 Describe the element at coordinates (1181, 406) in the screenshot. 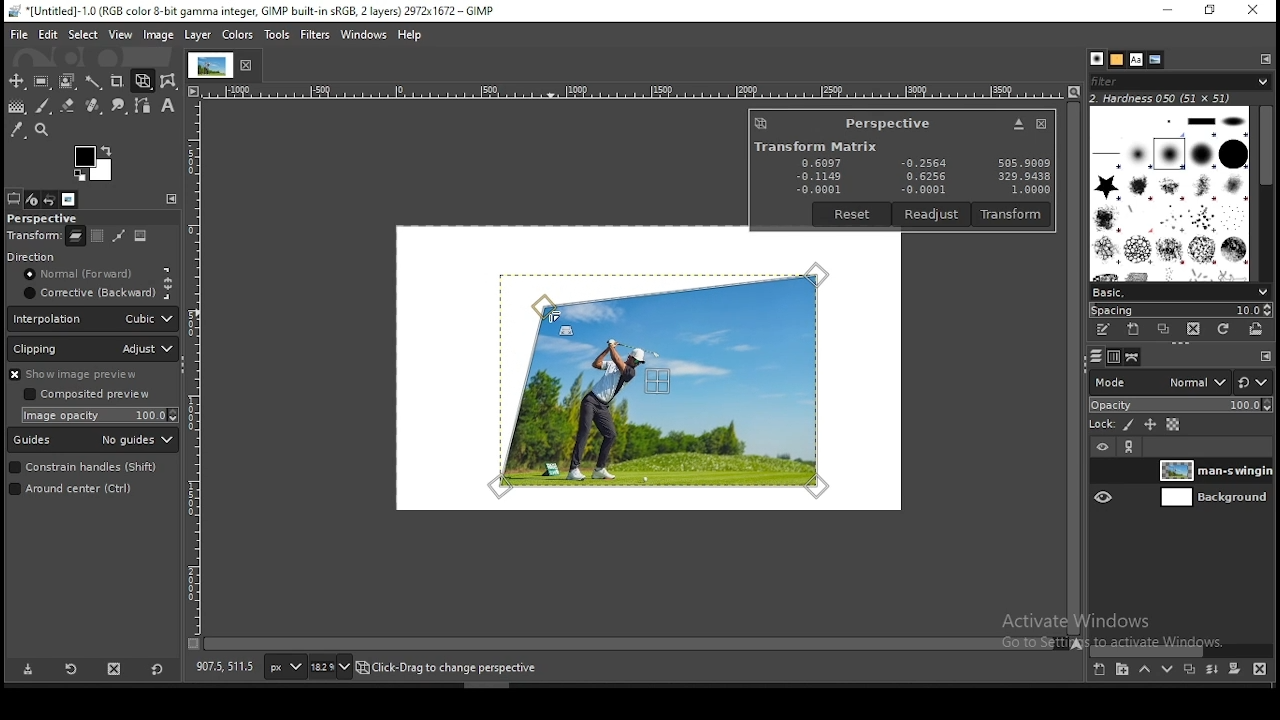

I see `opacity` at that location.